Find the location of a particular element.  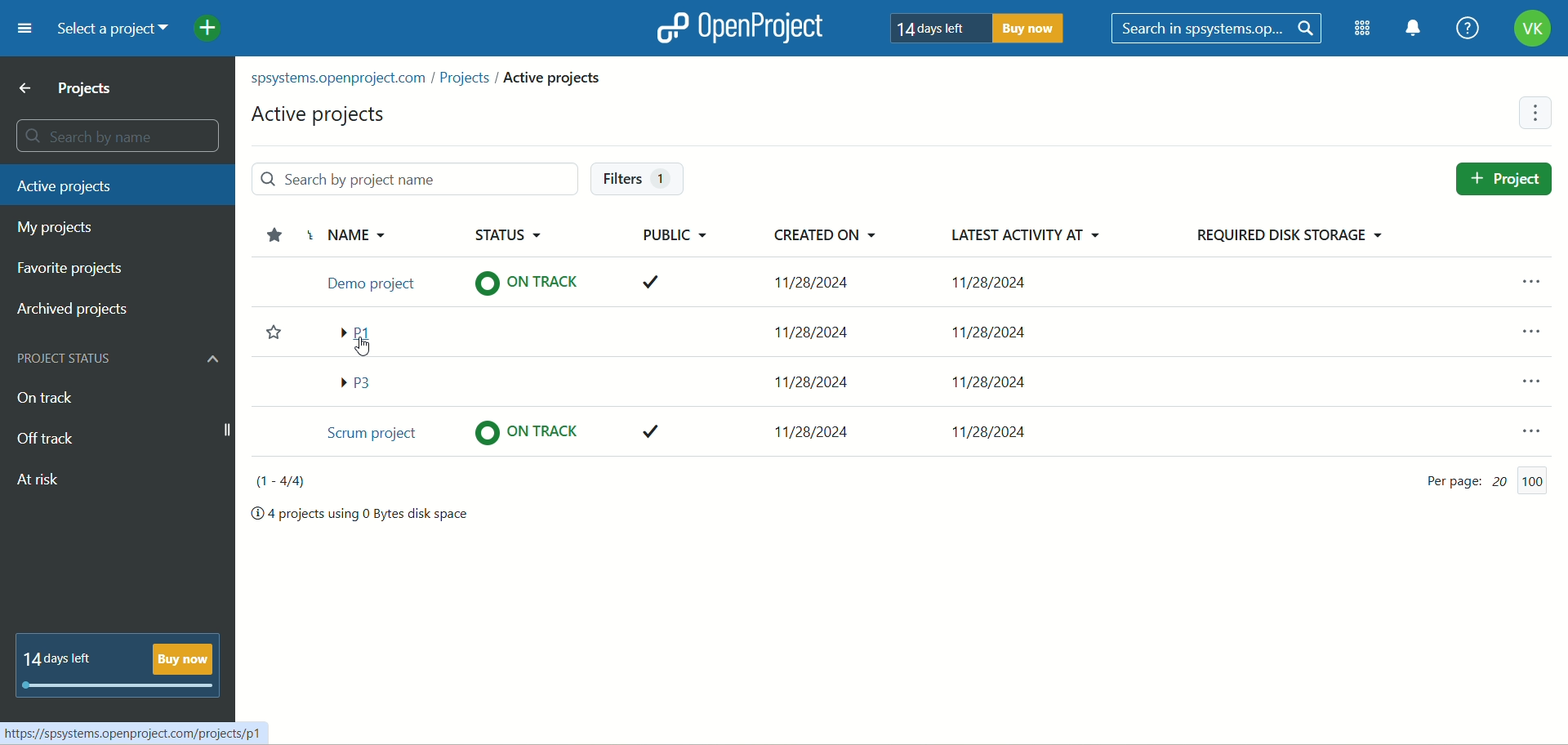

favorite projects is located at coordinates (76, 270).